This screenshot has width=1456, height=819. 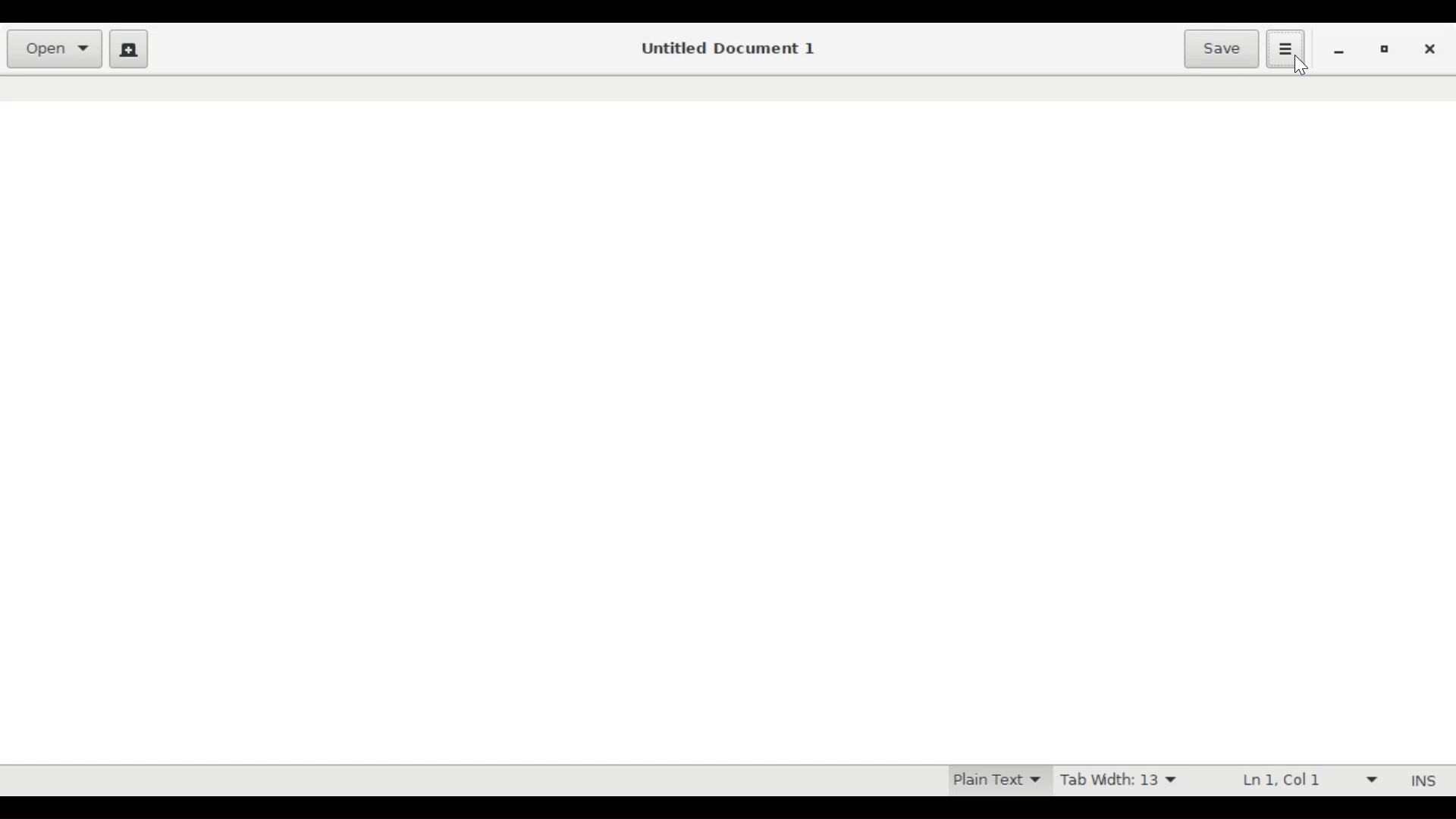 What do you see at coordinates (1222, 50) in the screenshot?
I see `Save` at bounding box center [1222, 50].